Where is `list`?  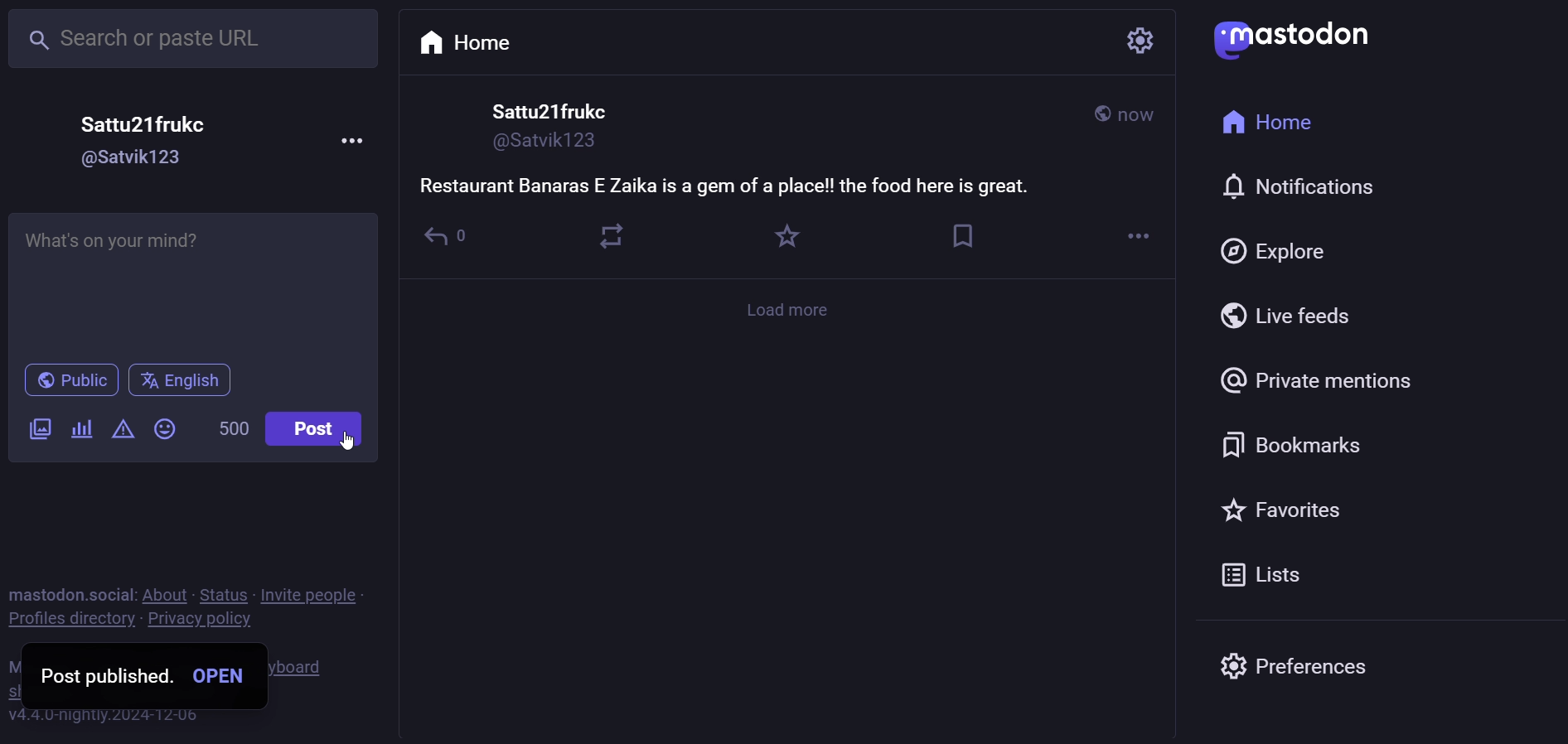
list is located at coordinates (1256, 577).